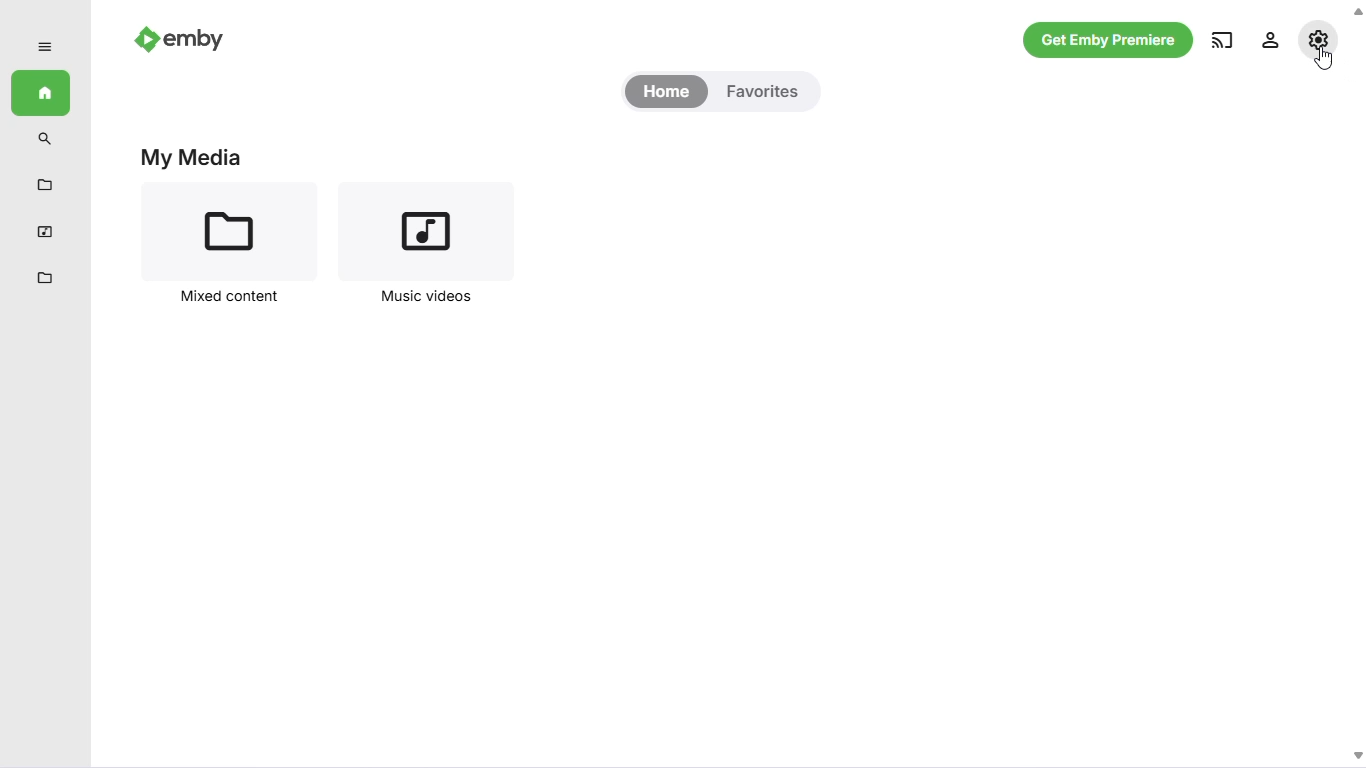 This screenshot has height=768, width=1366. I want to click on play on another device, so click(1223, 41).